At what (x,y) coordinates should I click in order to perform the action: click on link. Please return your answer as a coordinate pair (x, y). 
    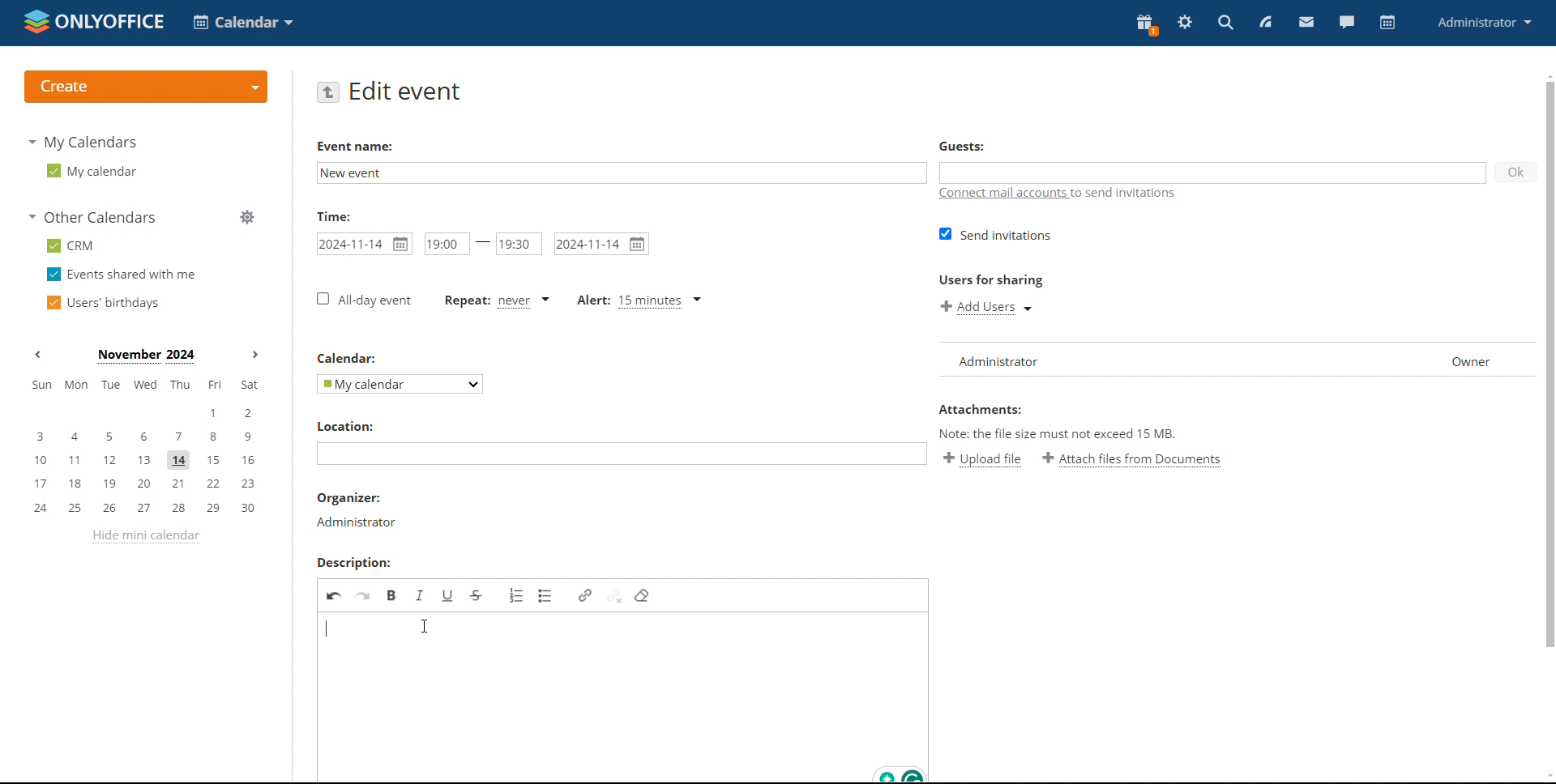
    Looking at the image, I should click on (585, 595).